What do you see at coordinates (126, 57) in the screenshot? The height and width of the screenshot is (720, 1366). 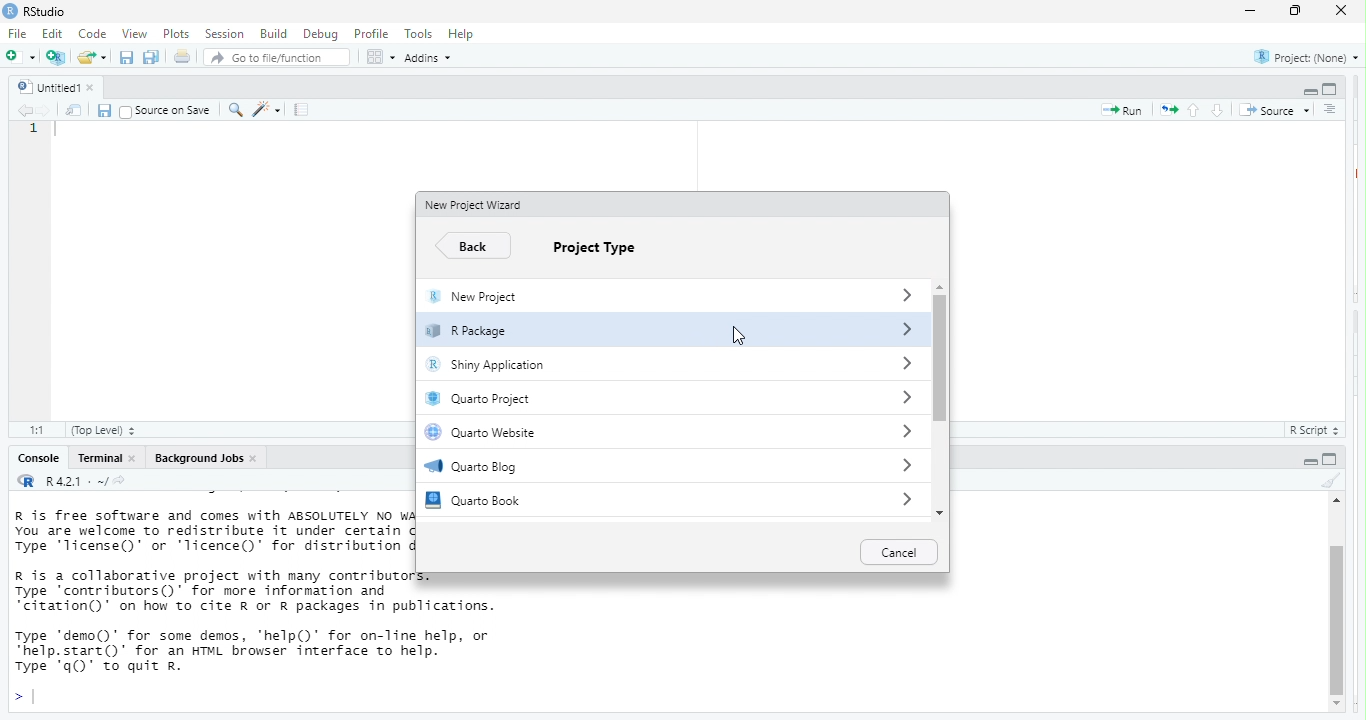 I see `save current document` at bounding box center [126, 57].